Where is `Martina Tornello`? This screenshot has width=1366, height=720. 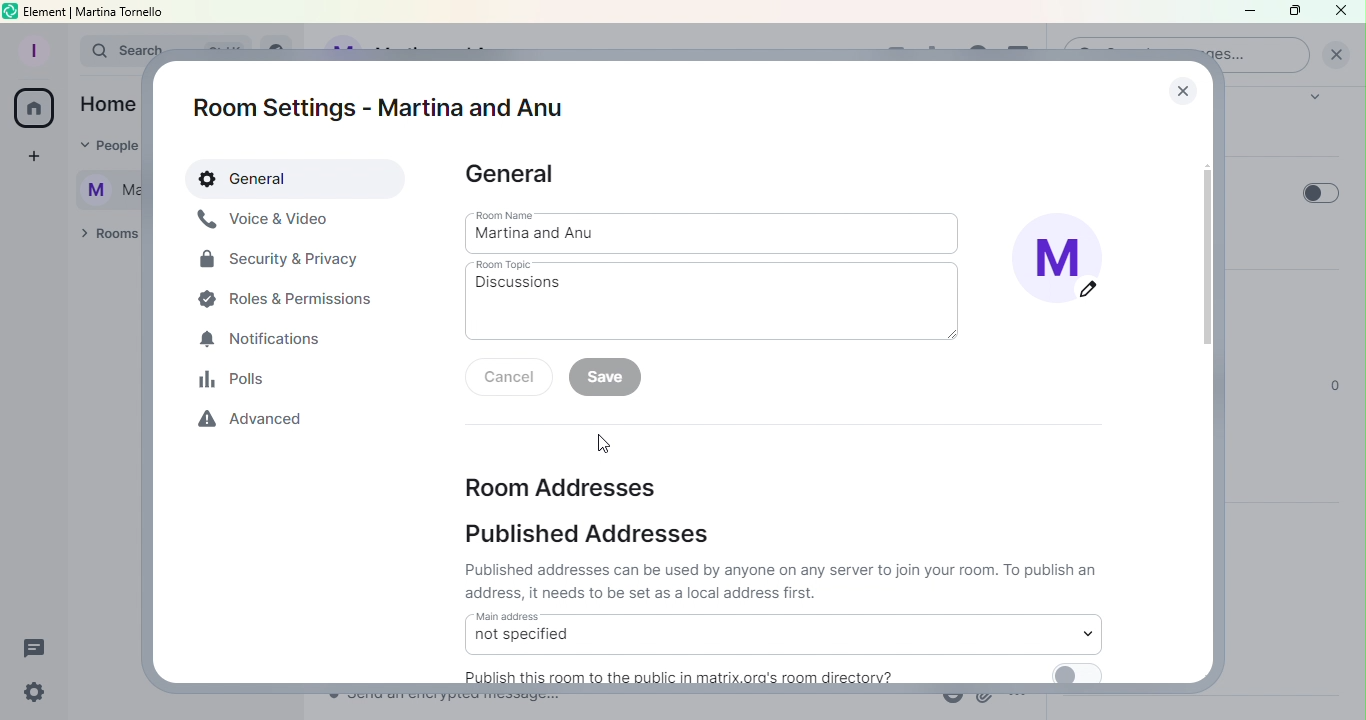
Martina Tornello is located at coordinates (101, 187).